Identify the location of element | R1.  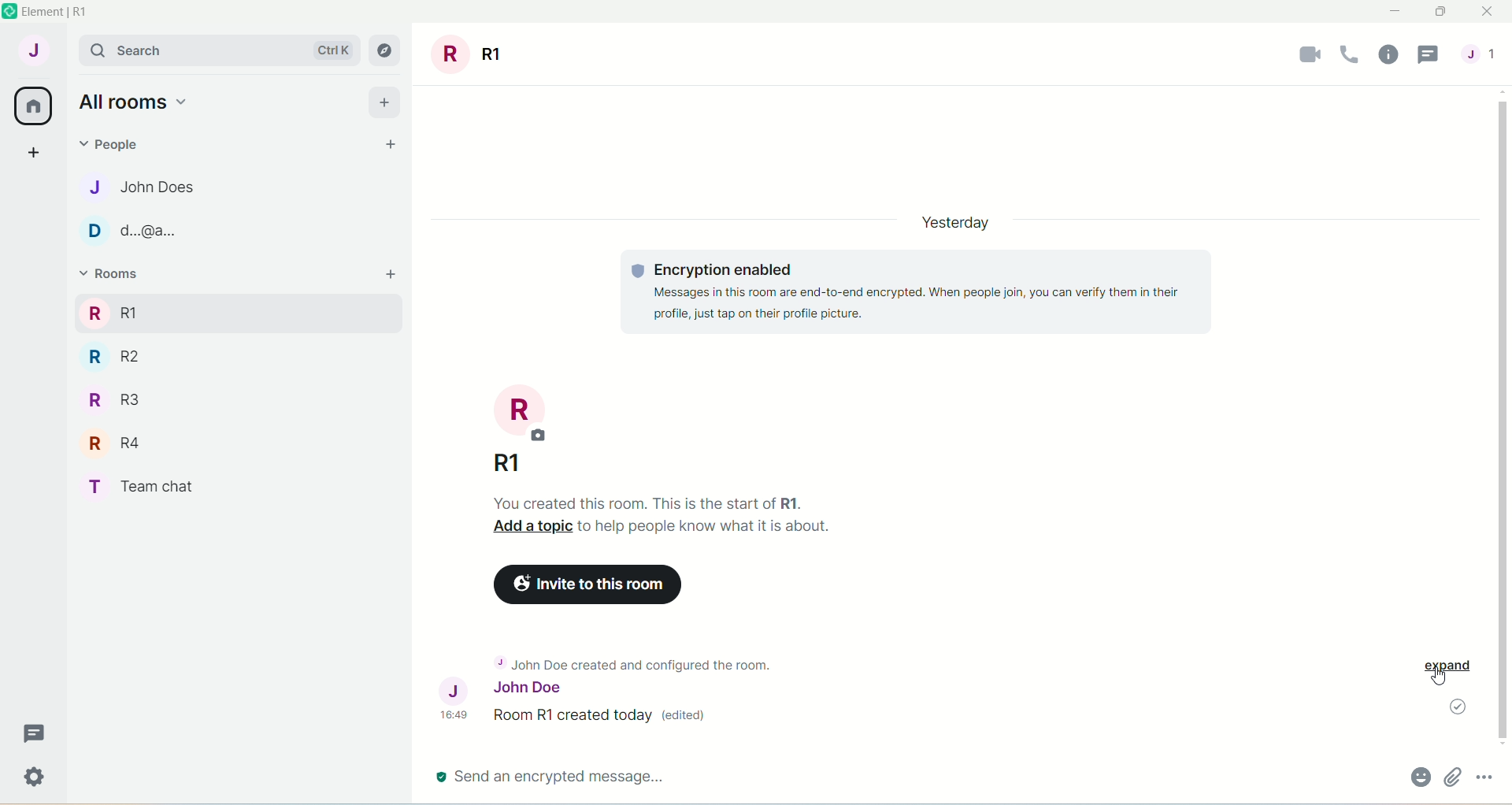
(64, 13).